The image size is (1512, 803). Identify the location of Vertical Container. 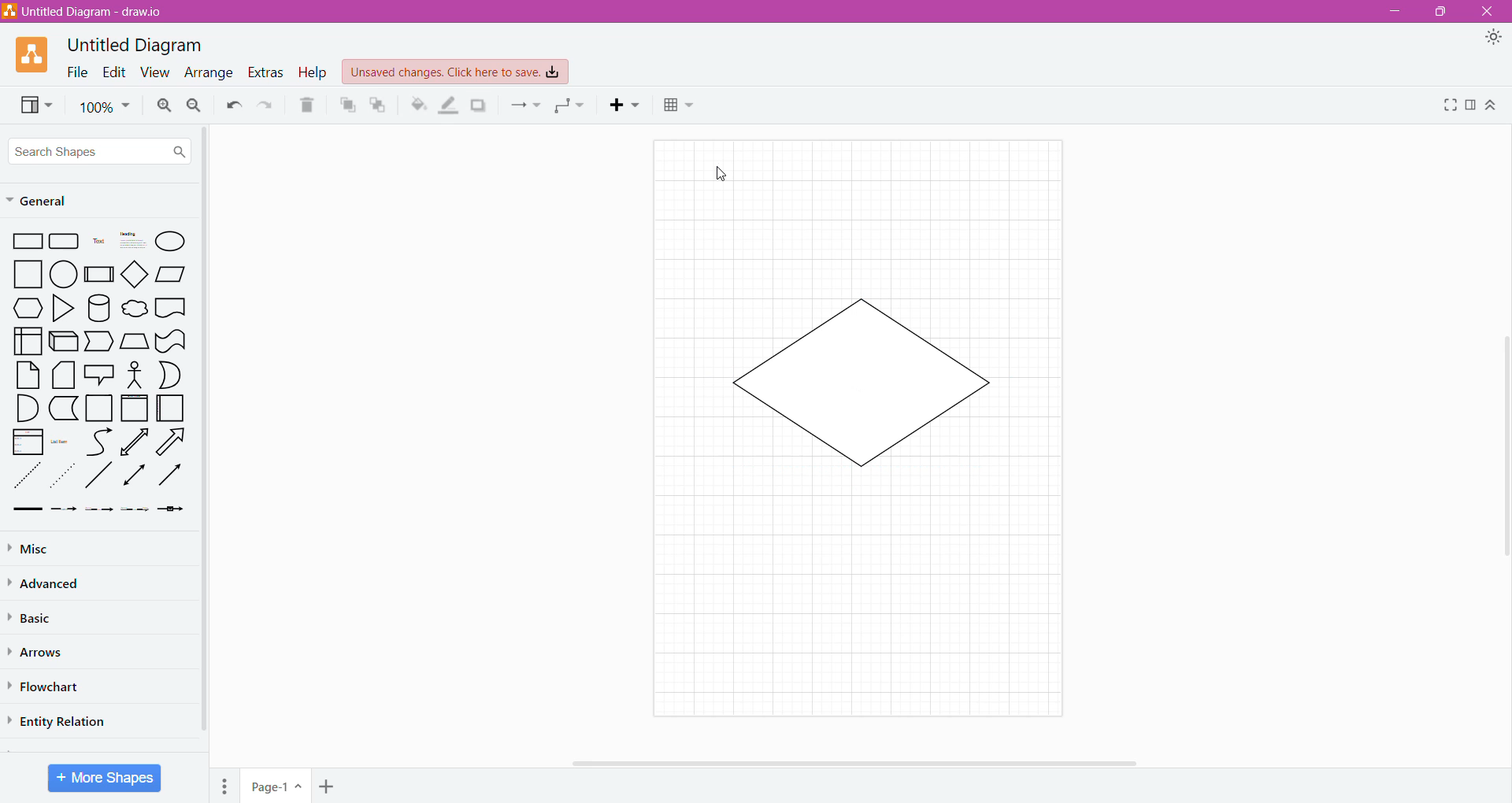
(134, 409).